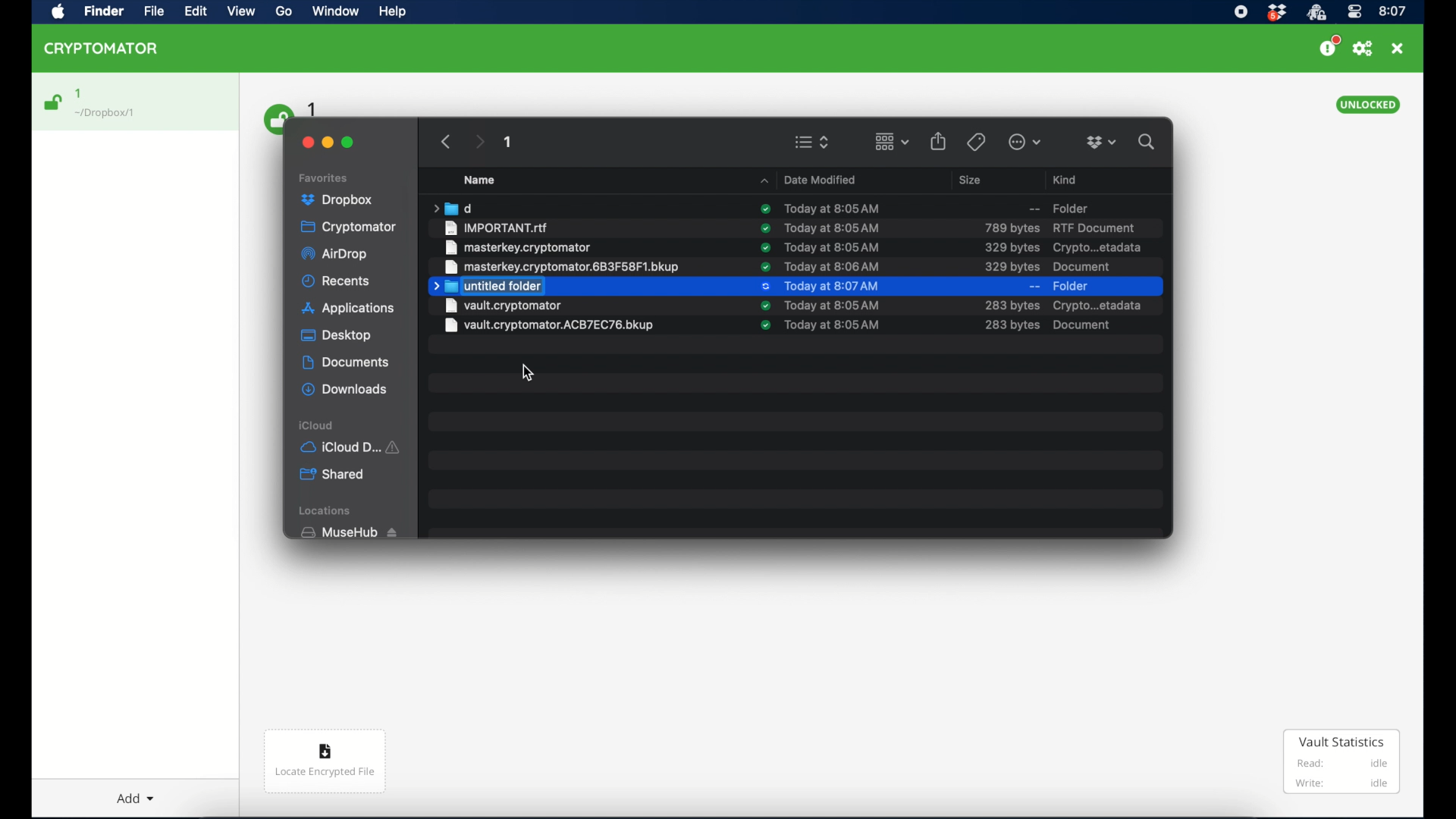 The height and width of the screenshot is (819, 1456). What do you see at coordinates (451, 208) in the screenshot?
I see `folder` at bounding box center [451, 208].